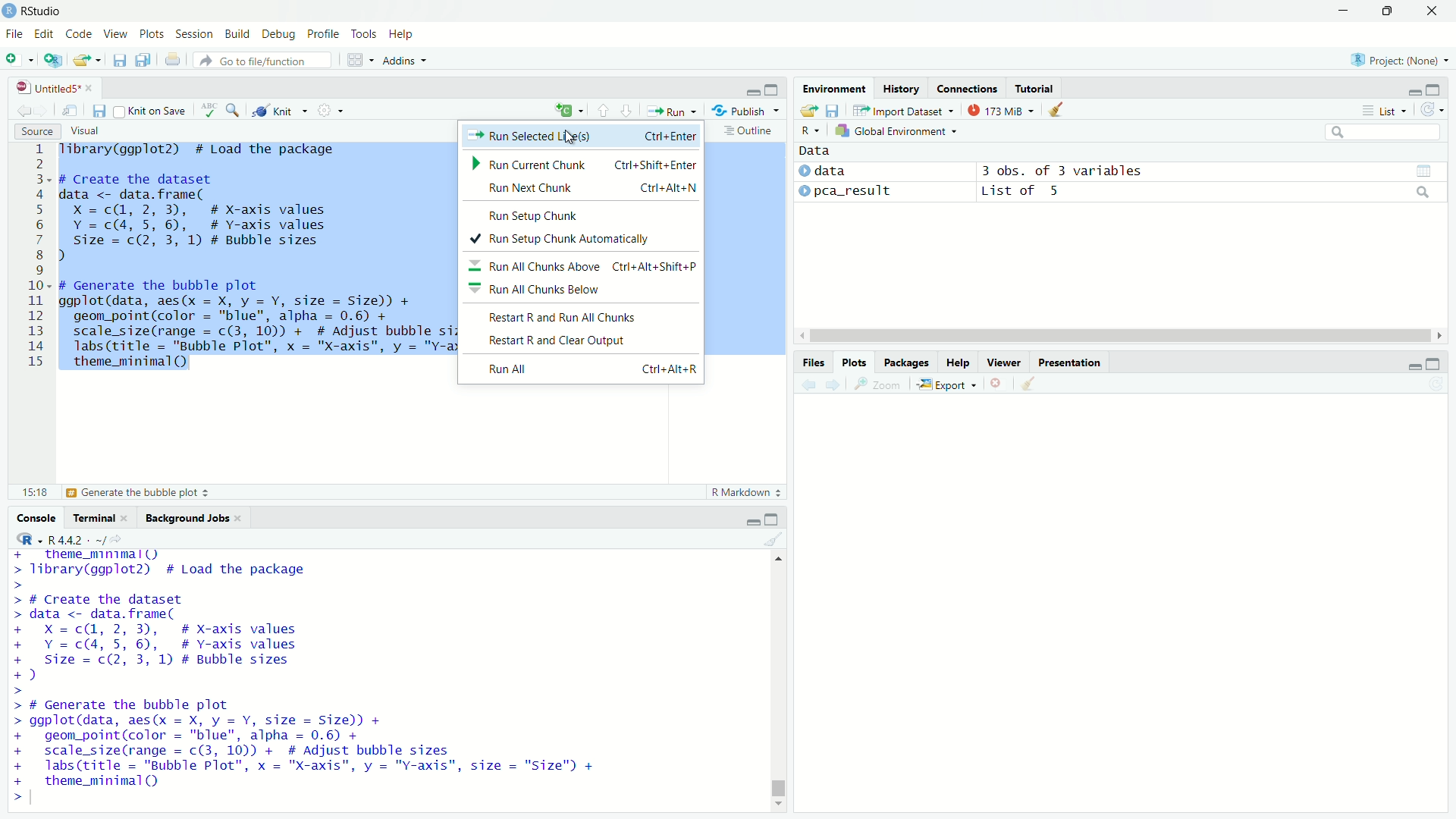 The image size is (1456, 819). Describe the element at coordinates (357, 60) in the screenshot. I see `workspace panes` at that location.